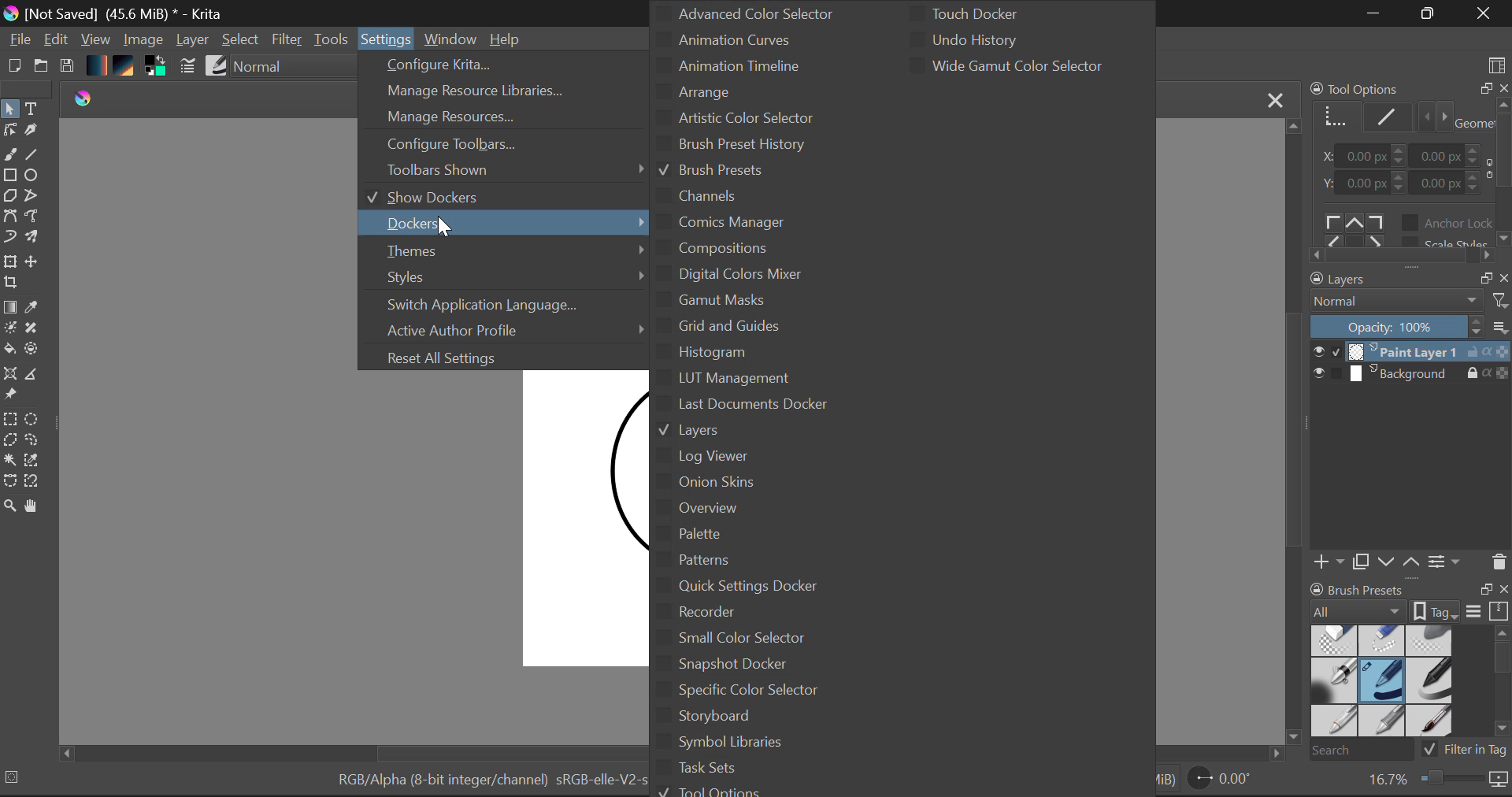 Image resolution: width=1512 pixels, height=797 pixels. I want to click on Eyedropper, so click(35, 309).